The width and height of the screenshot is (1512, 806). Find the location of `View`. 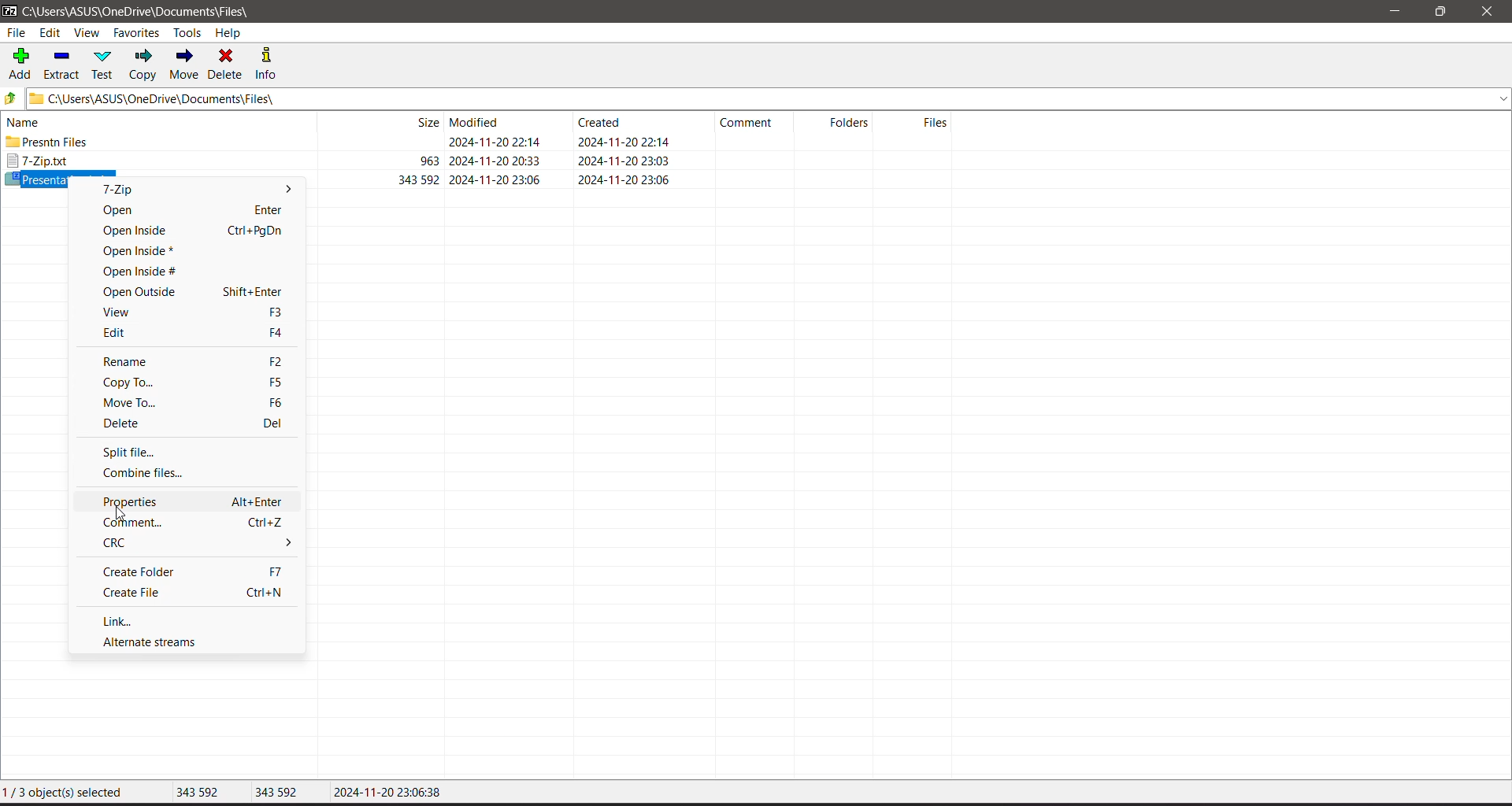

View is located at coordinates (190, 312).